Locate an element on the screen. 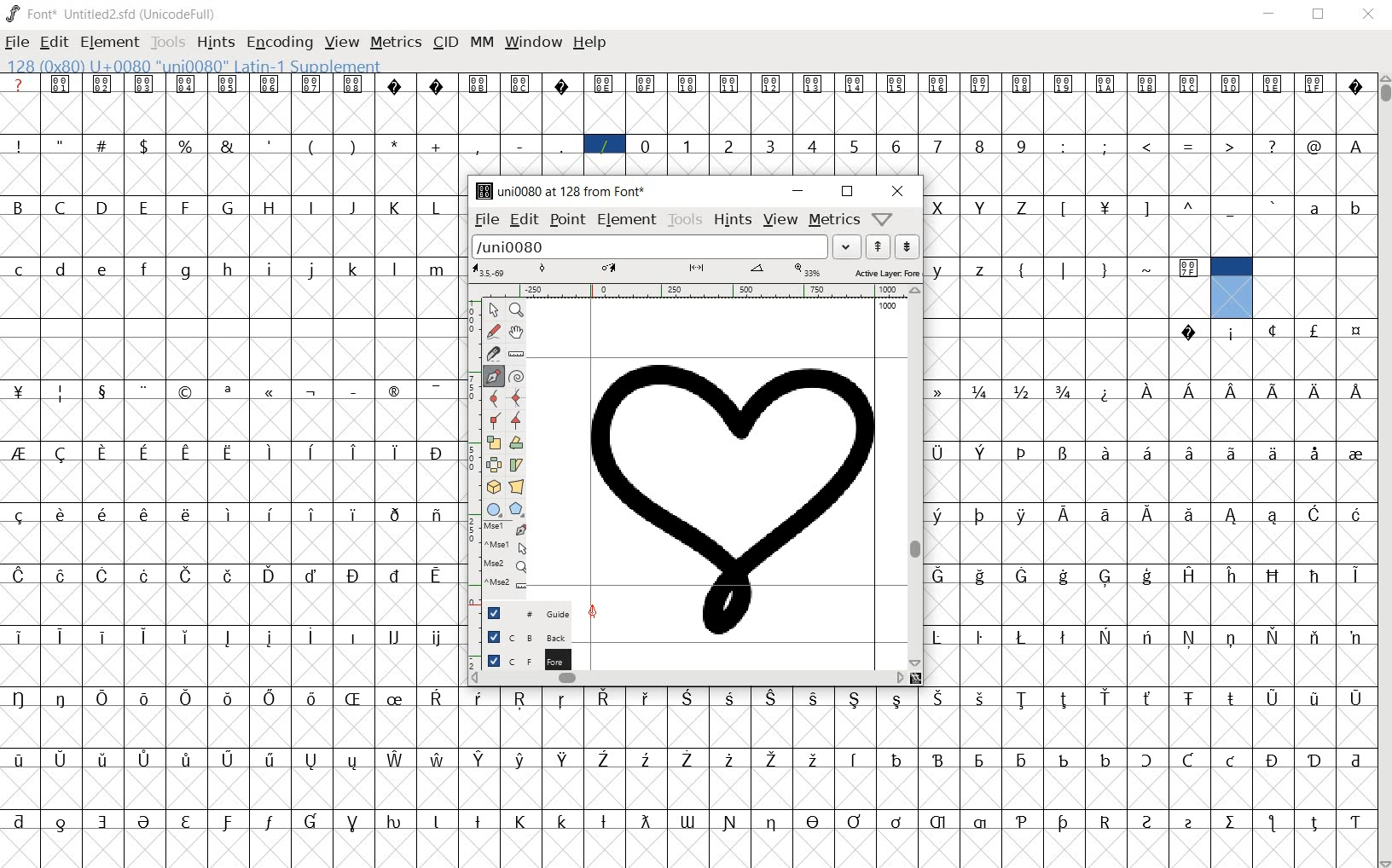  FILE is located at coordinates (18, 42).